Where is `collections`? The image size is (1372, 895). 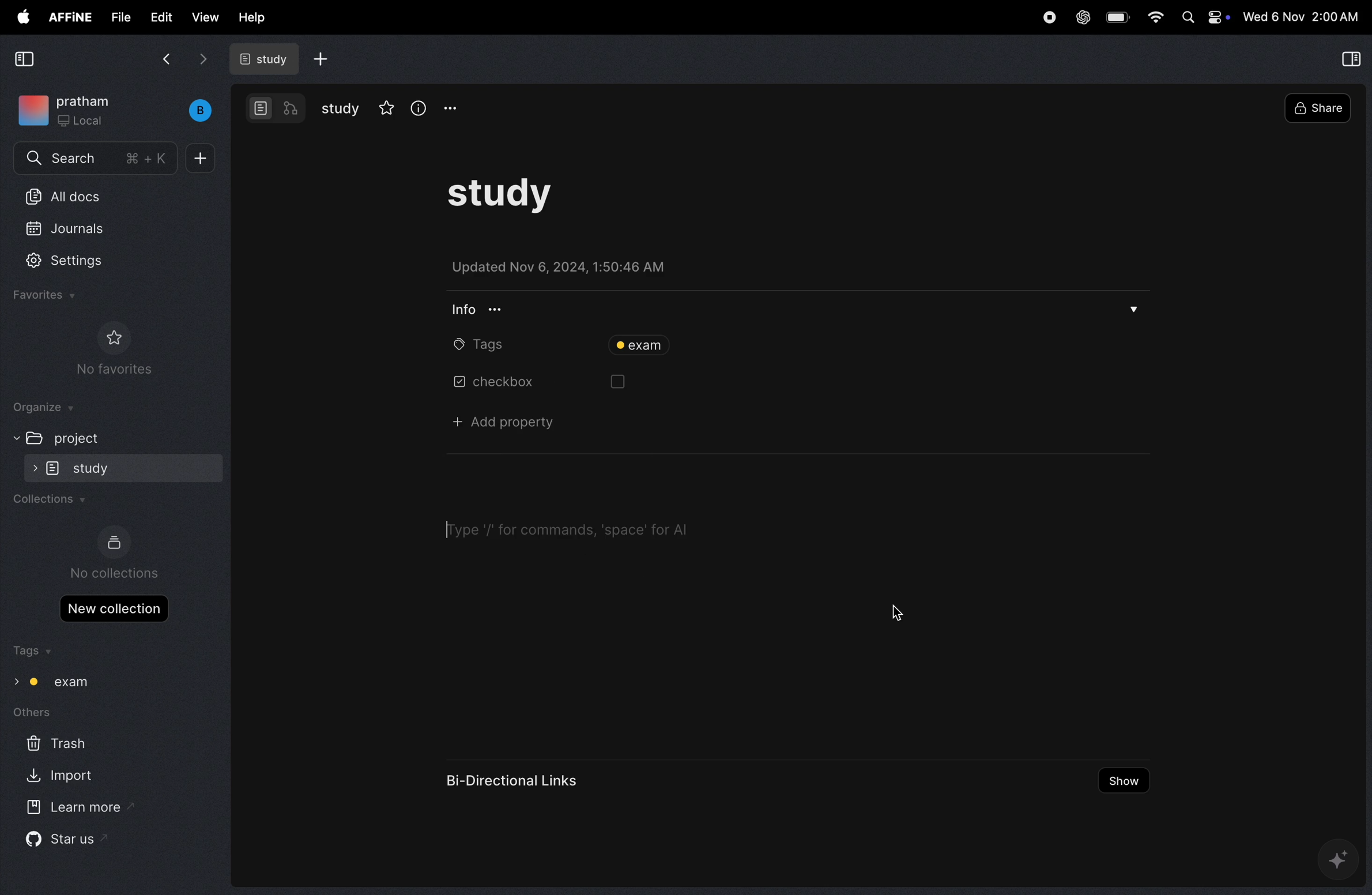 collections is located at coordinates (52, 501).